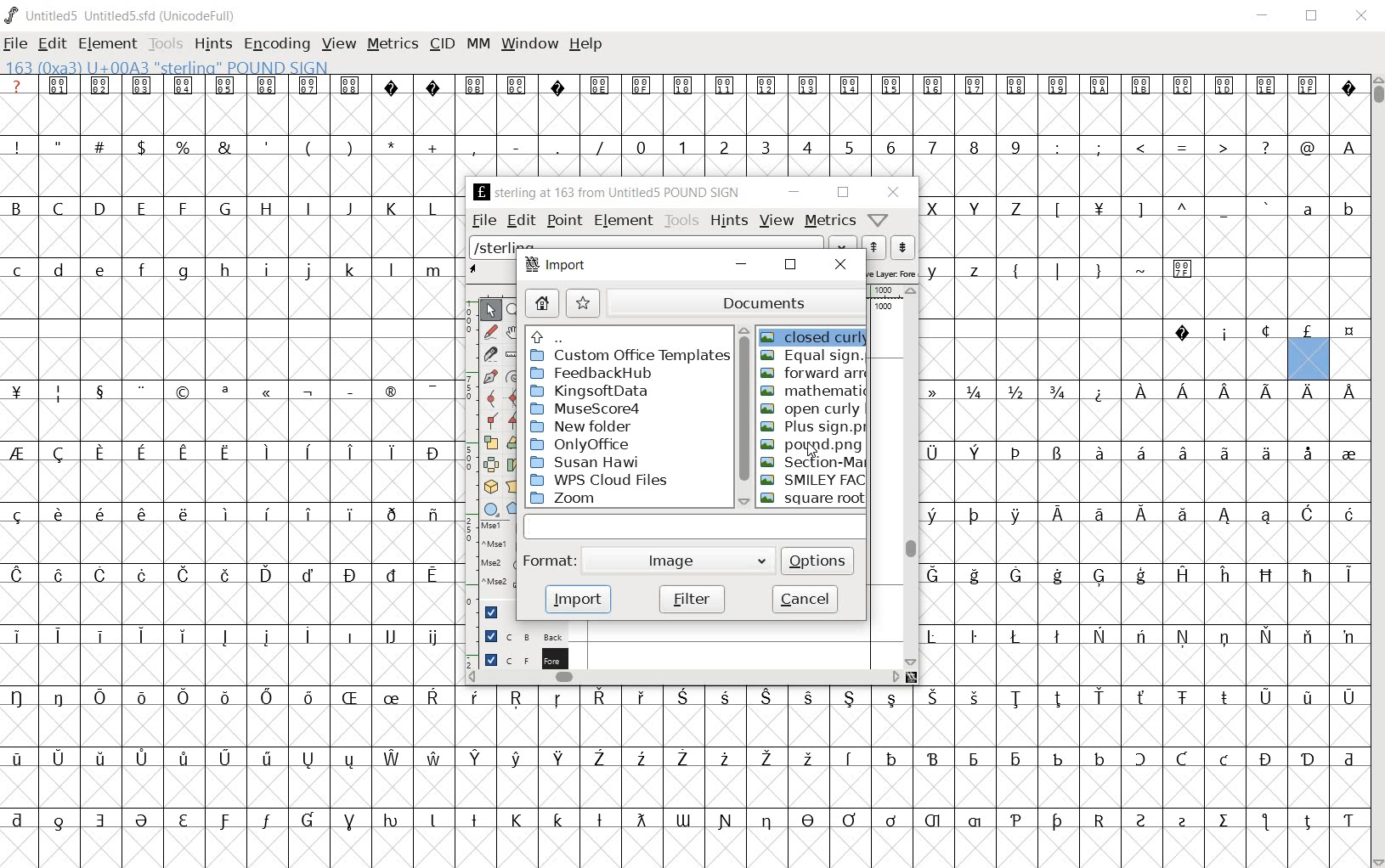 This screenshot has height=868, width=1385. Describe the element at coordinates (1310, 17) in the screenshot. I see `maximize` at that location.